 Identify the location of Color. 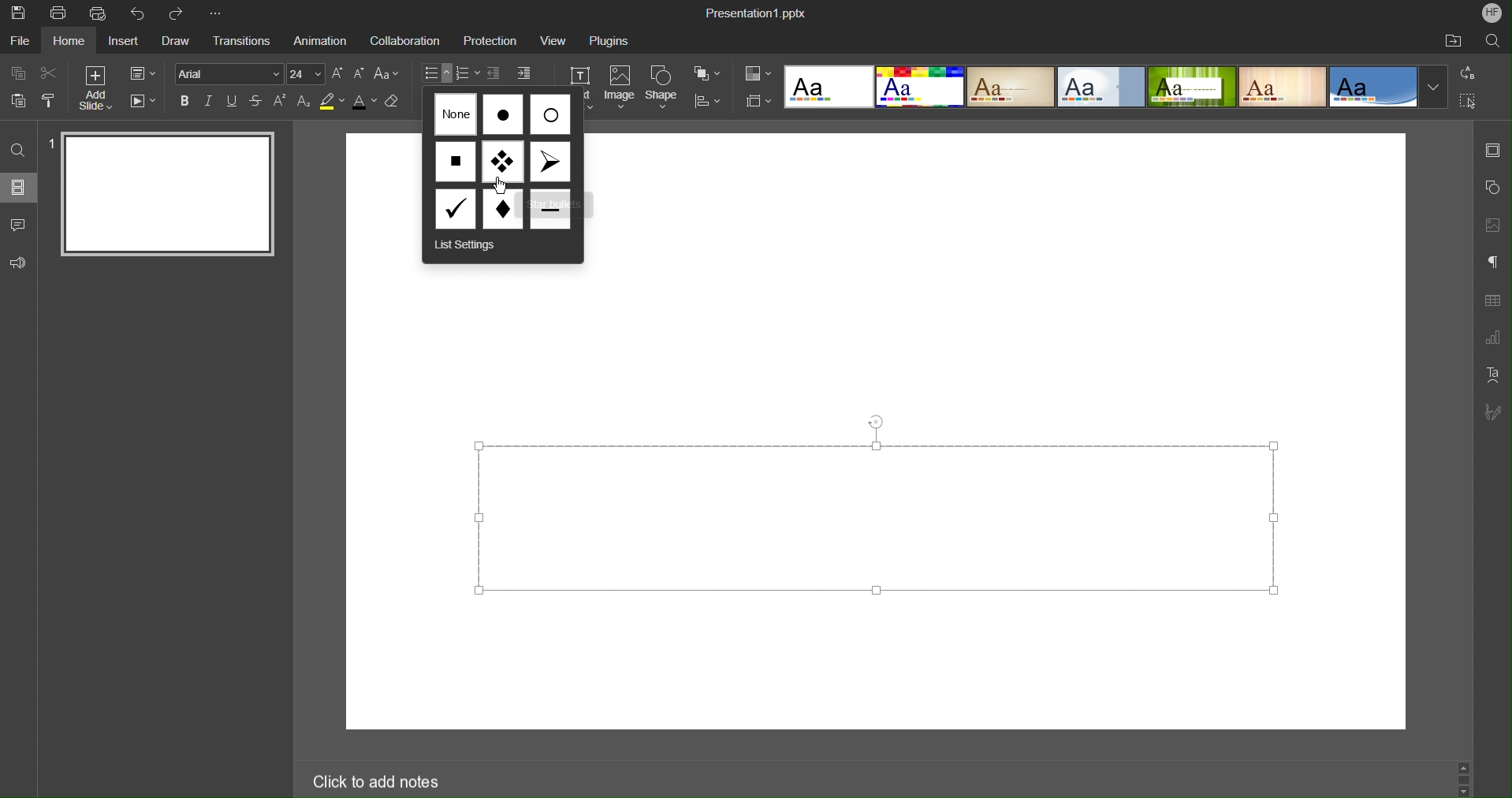
(758, 73).